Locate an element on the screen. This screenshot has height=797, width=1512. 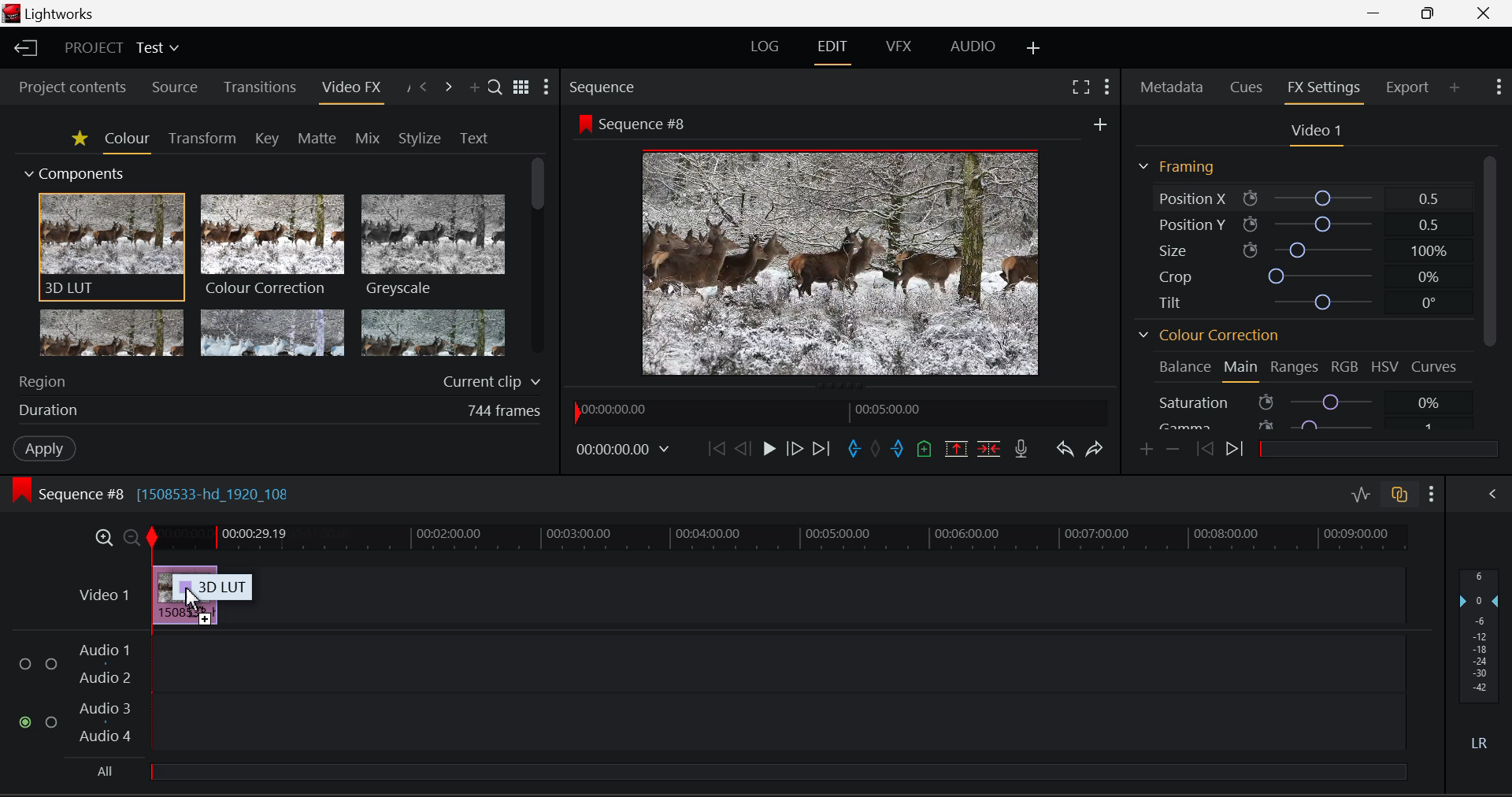
Audio Input Checkbox is located at coordinates (24, 721).